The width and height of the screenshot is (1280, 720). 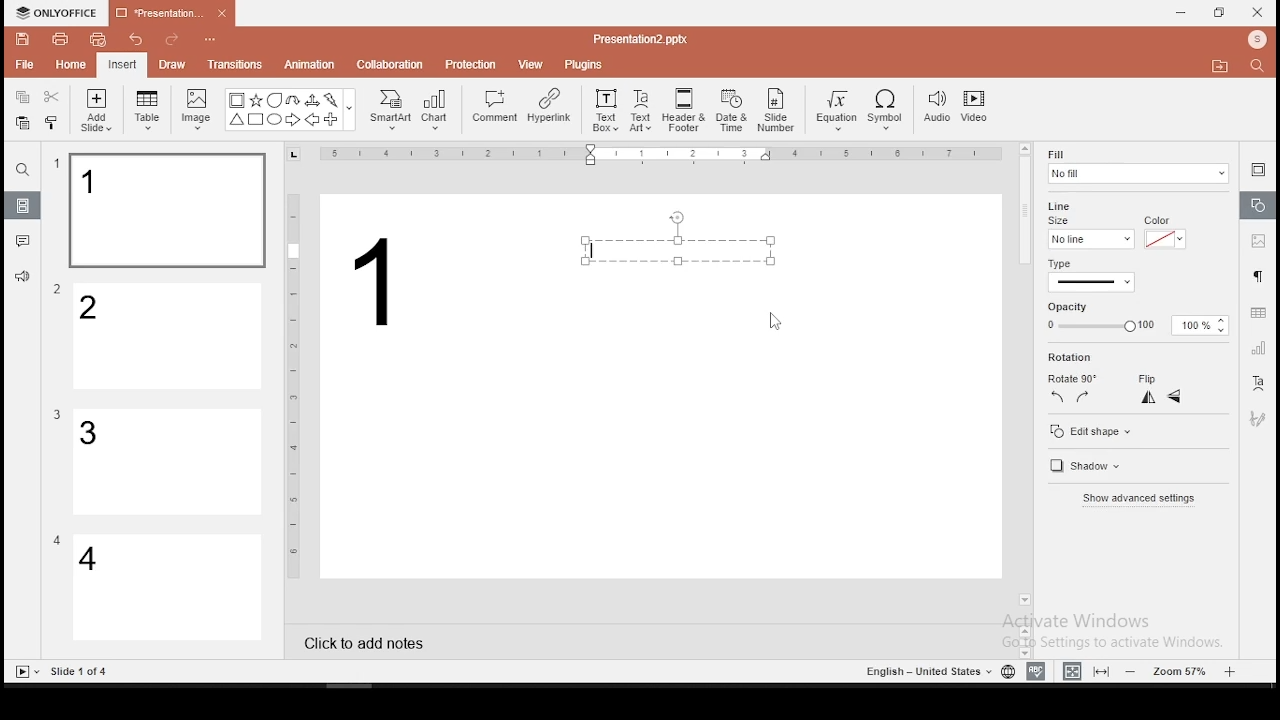 I want to click on slide 3, so click(x=165, y=462).